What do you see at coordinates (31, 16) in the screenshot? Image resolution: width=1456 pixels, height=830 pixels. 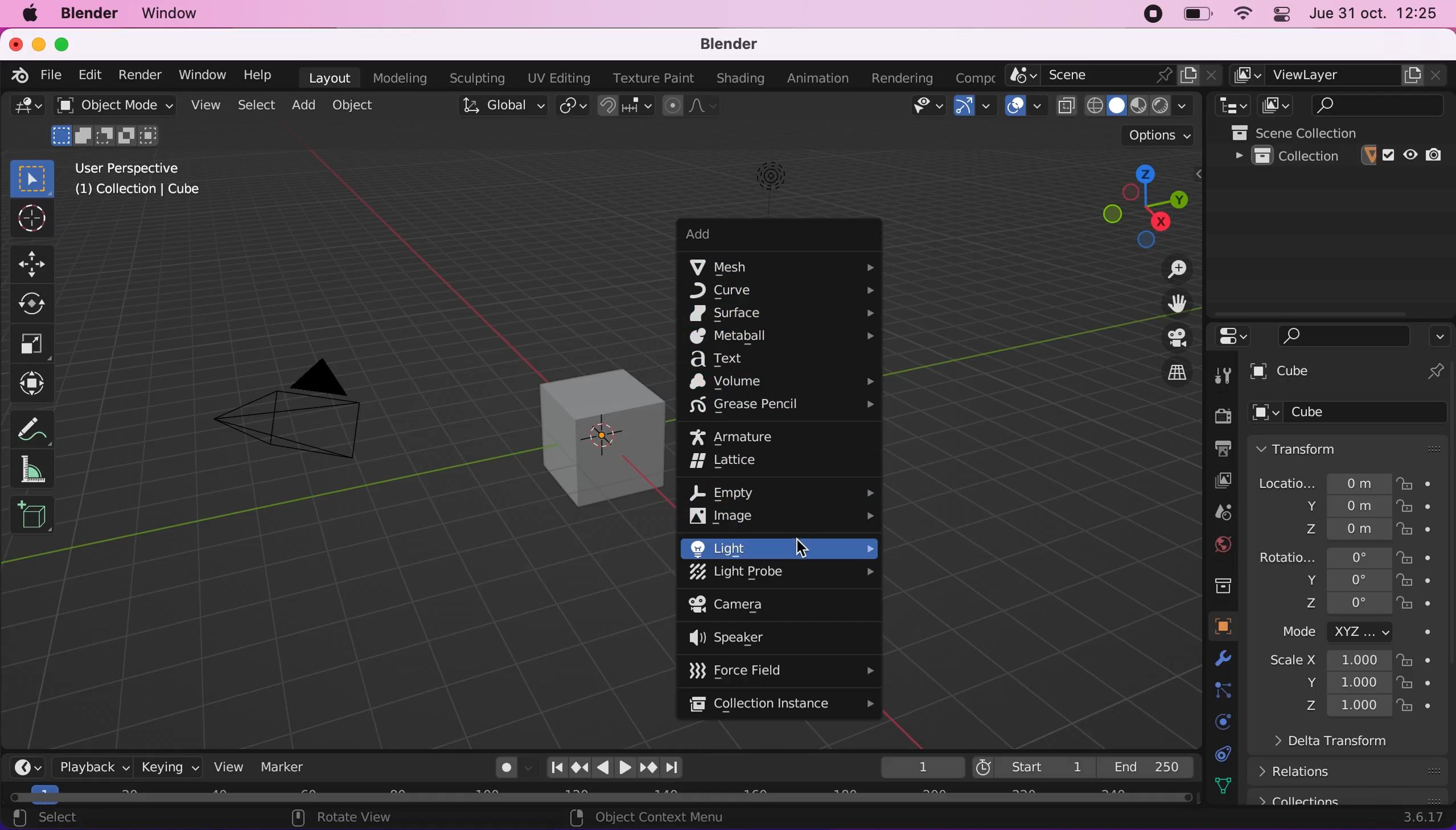 I see `mac logo` at bounding box center [31, 16].